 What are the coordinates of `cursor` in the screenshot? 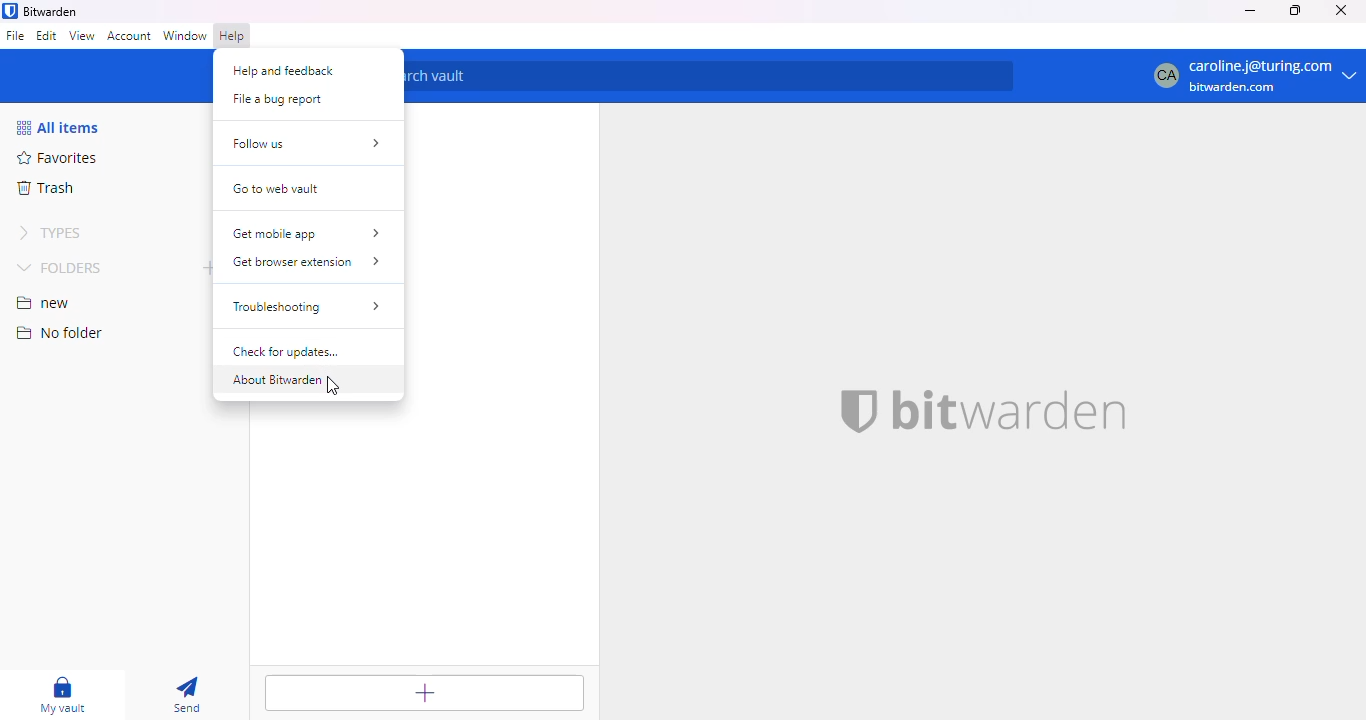 It's located at (335, 386).